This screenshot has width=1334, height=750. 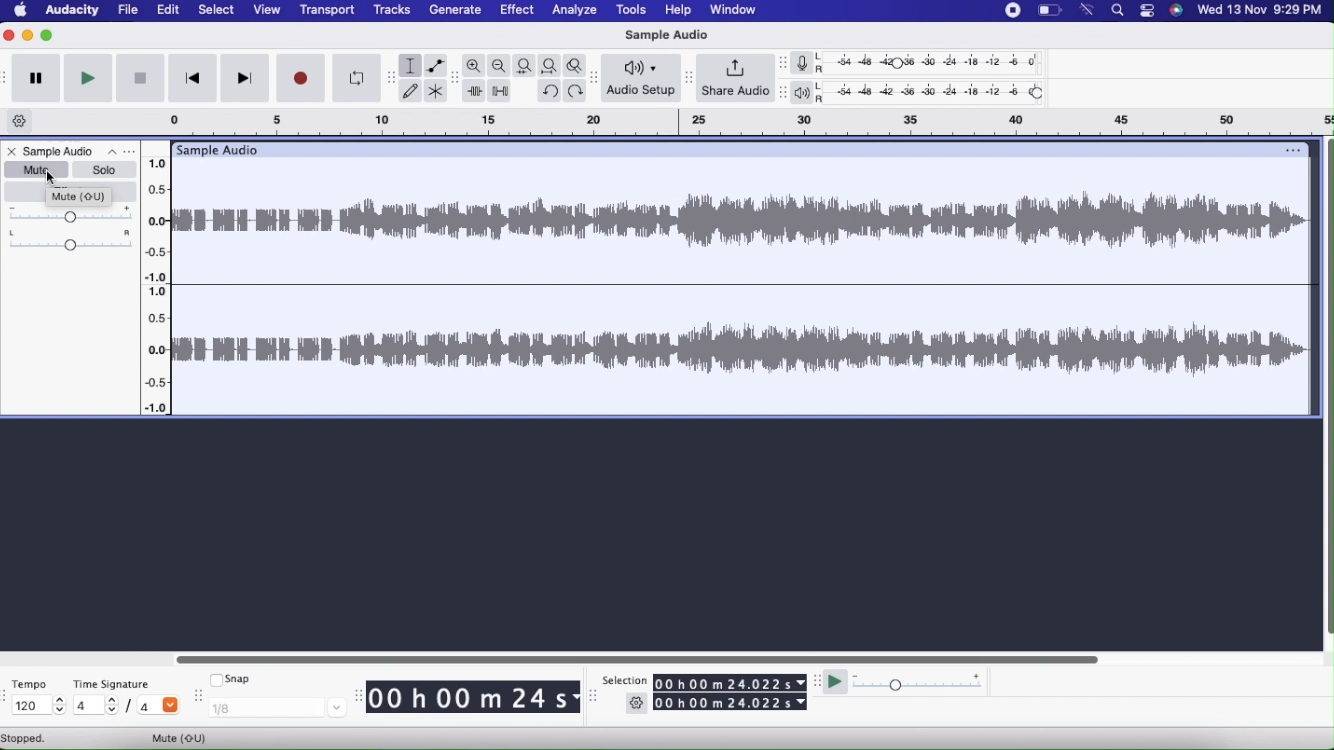 I want to click on Recoed, so click(x=1011, y=11).